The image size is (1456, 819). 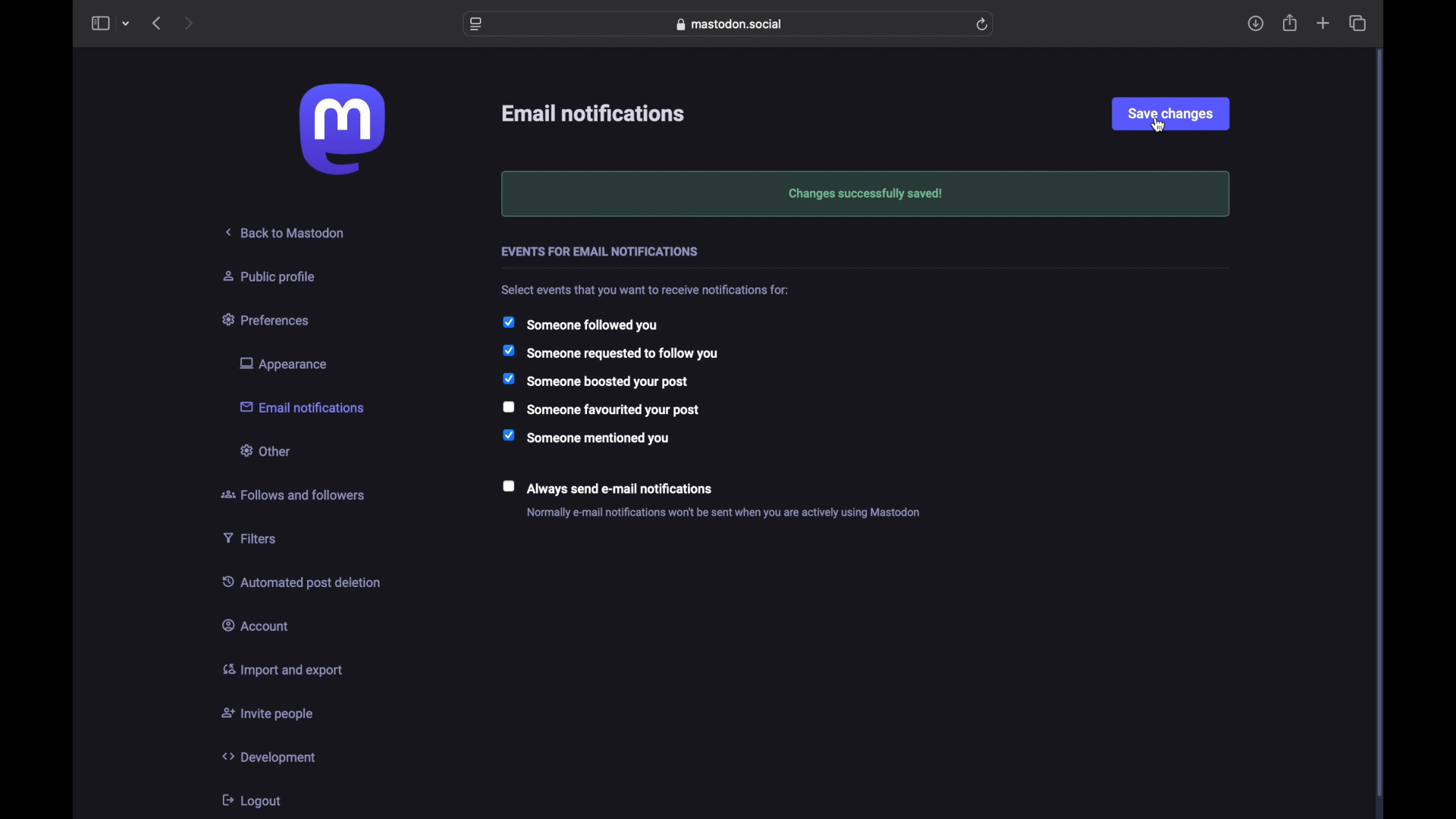 I want to click on import and export, so click(x=282, y=670).